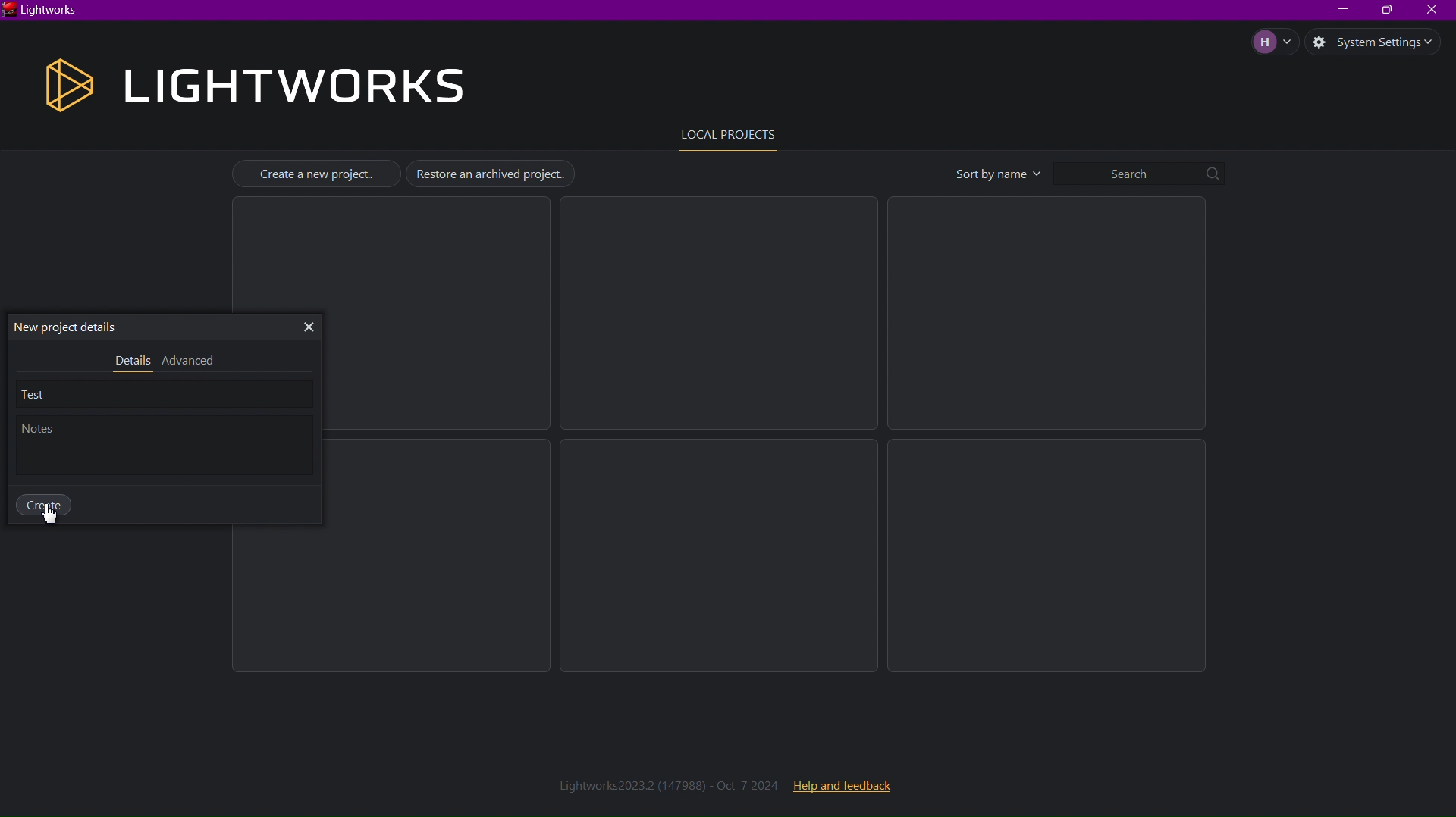  Describe the element at coordinates (293, 86) in the screenshot. I see `Lightworks` at that location.